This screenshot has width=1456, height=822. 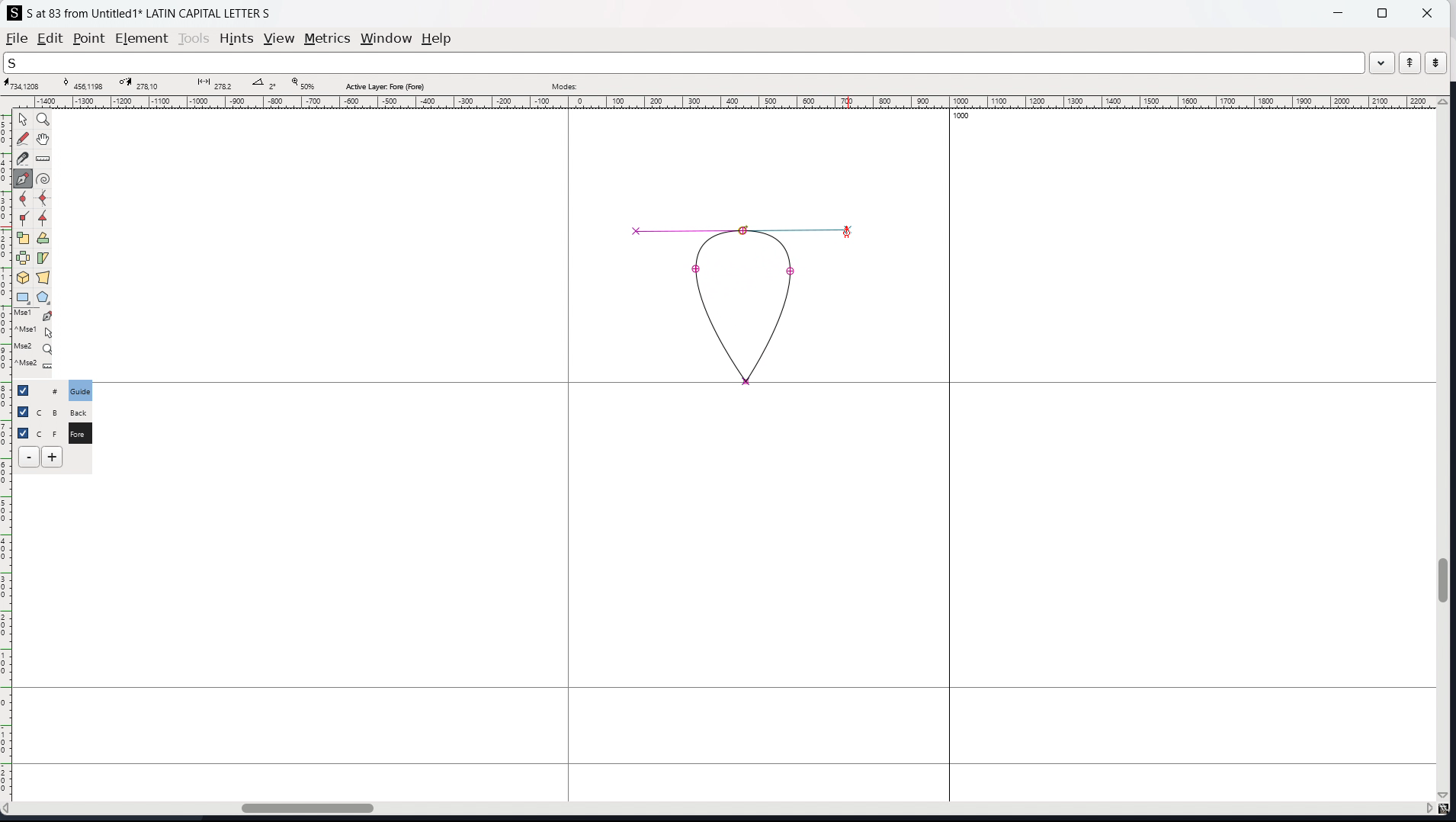 What do you see at coordinates (237, 39) in the screenshot?
I see `hints` at bounding box center [237, 39].